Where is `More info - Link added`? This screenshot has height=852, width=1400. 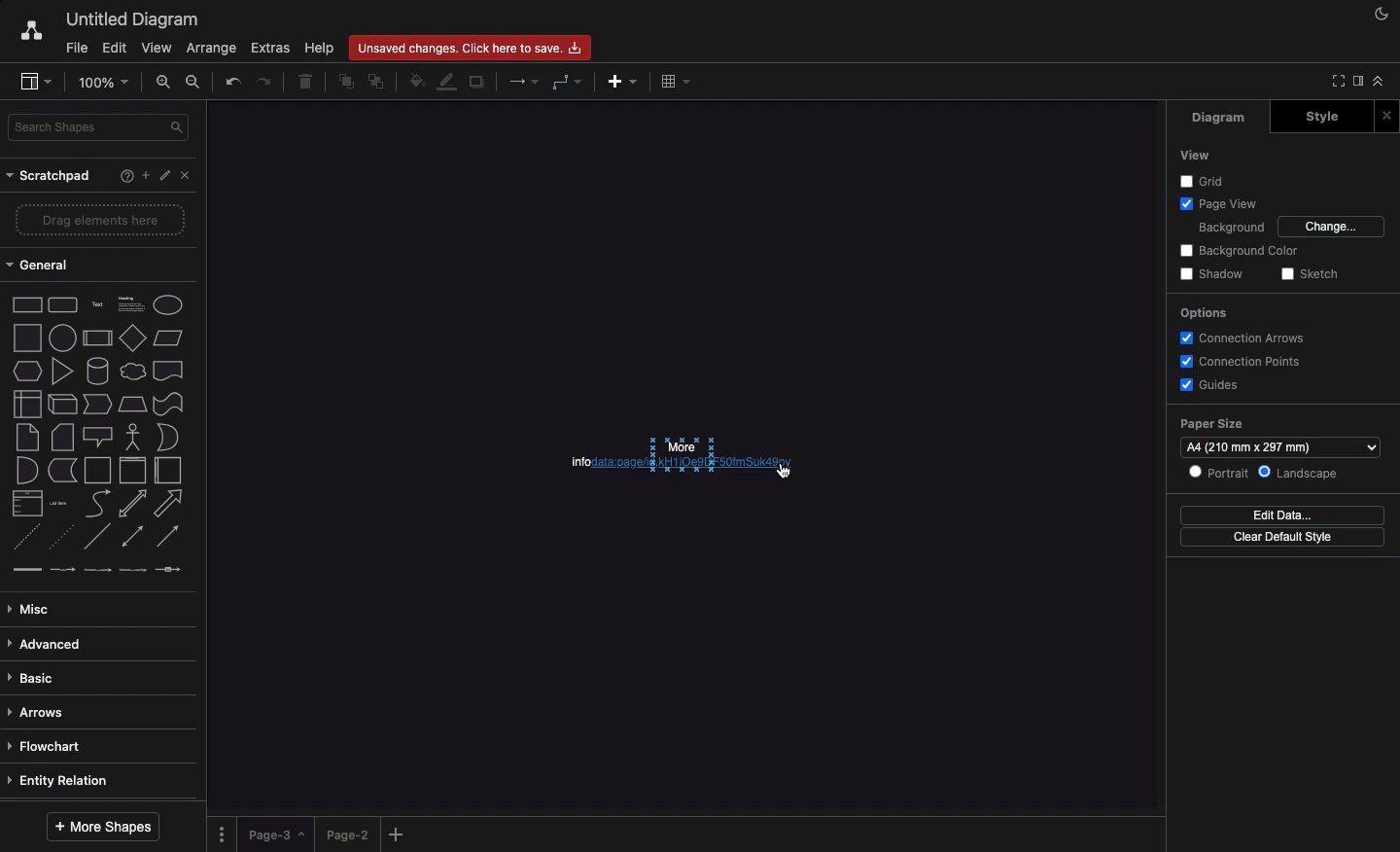 More info - Link added is located at coordinates (660, 454).